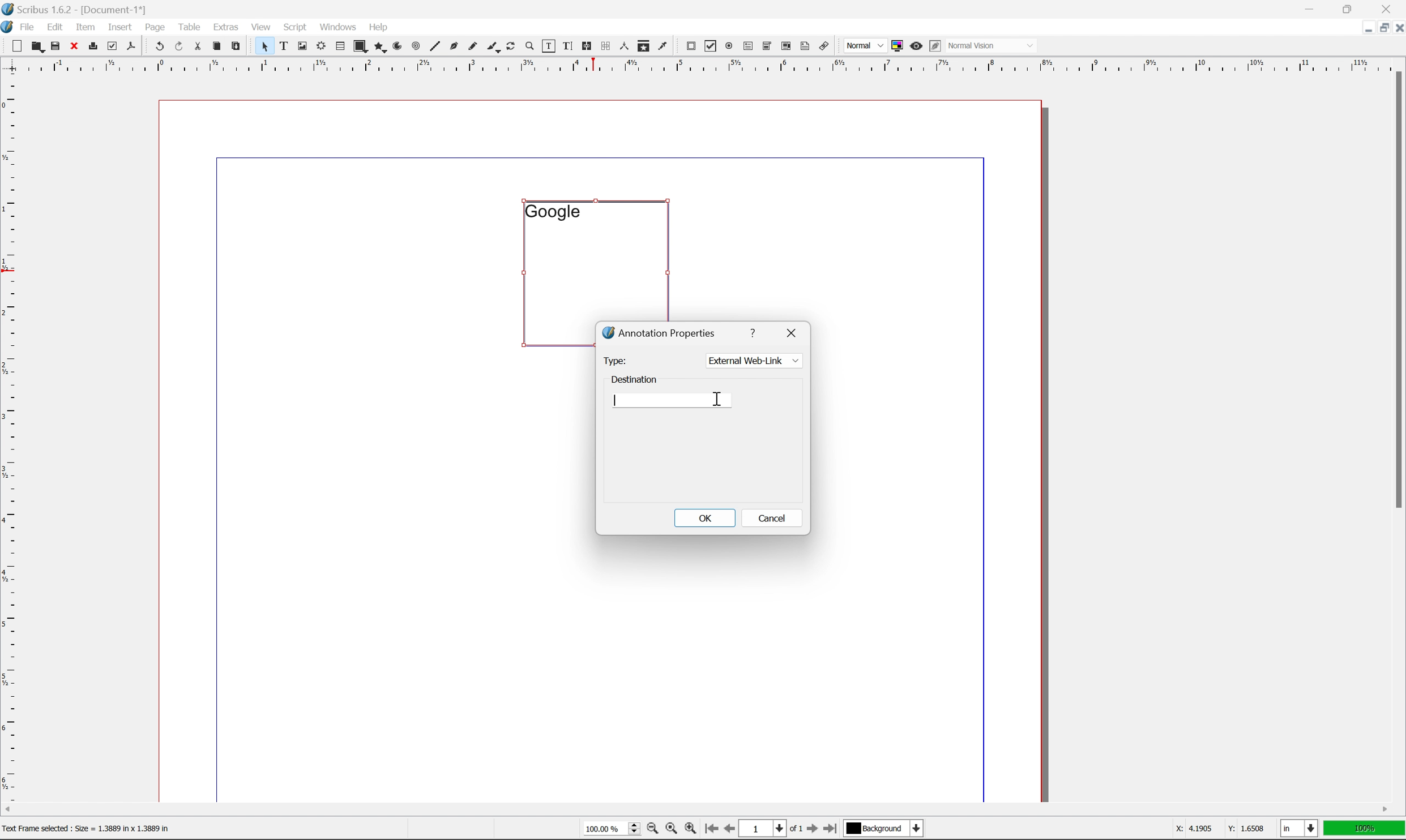 The width and height of the screenshot is (1406, 840). Describe the element at coordinates (809, 830) in the screenshot. I see `go to next page` at that location.